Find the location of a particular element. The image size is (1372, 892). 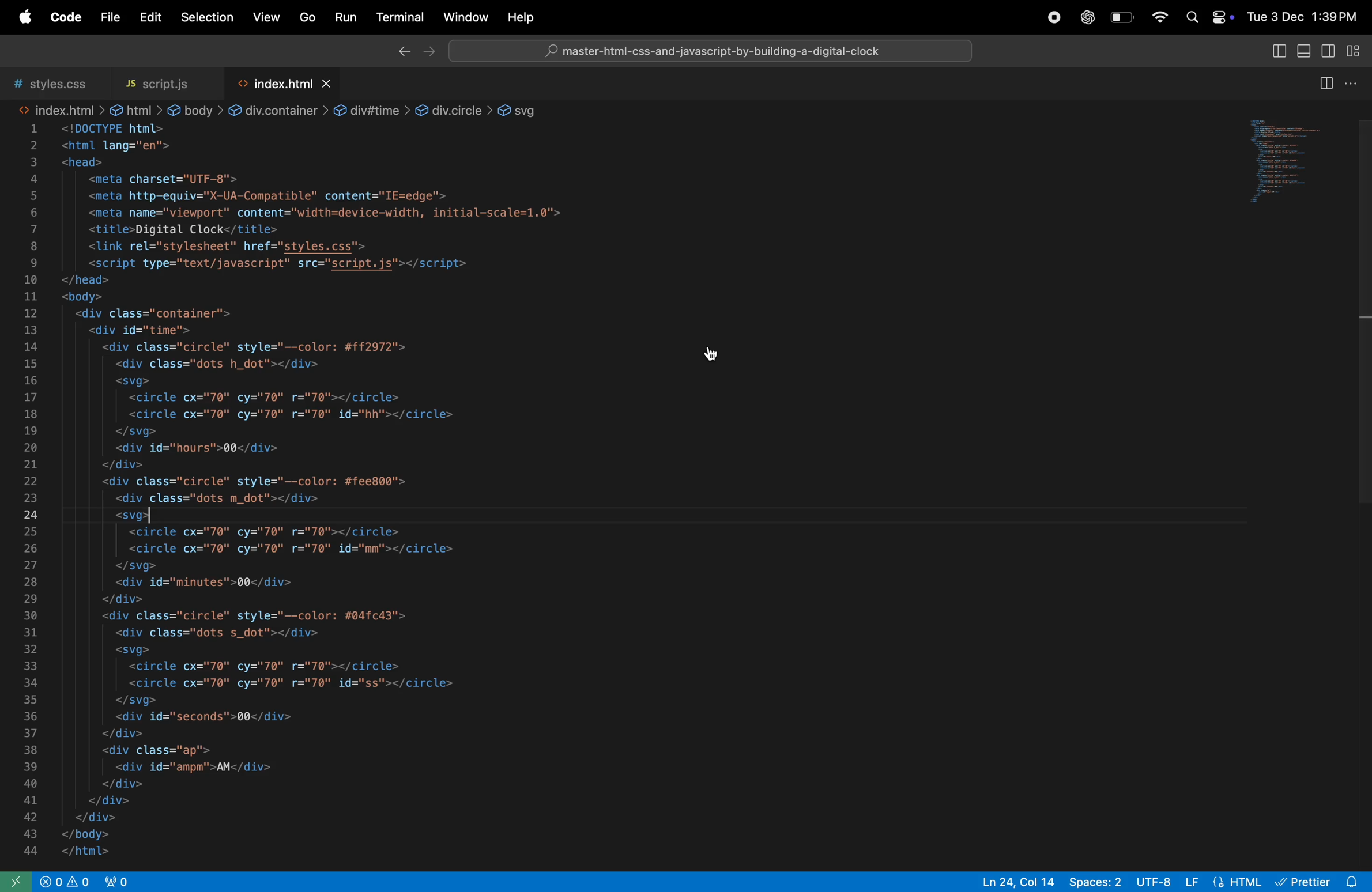

customize layour is located at coordinates (1354, 49).